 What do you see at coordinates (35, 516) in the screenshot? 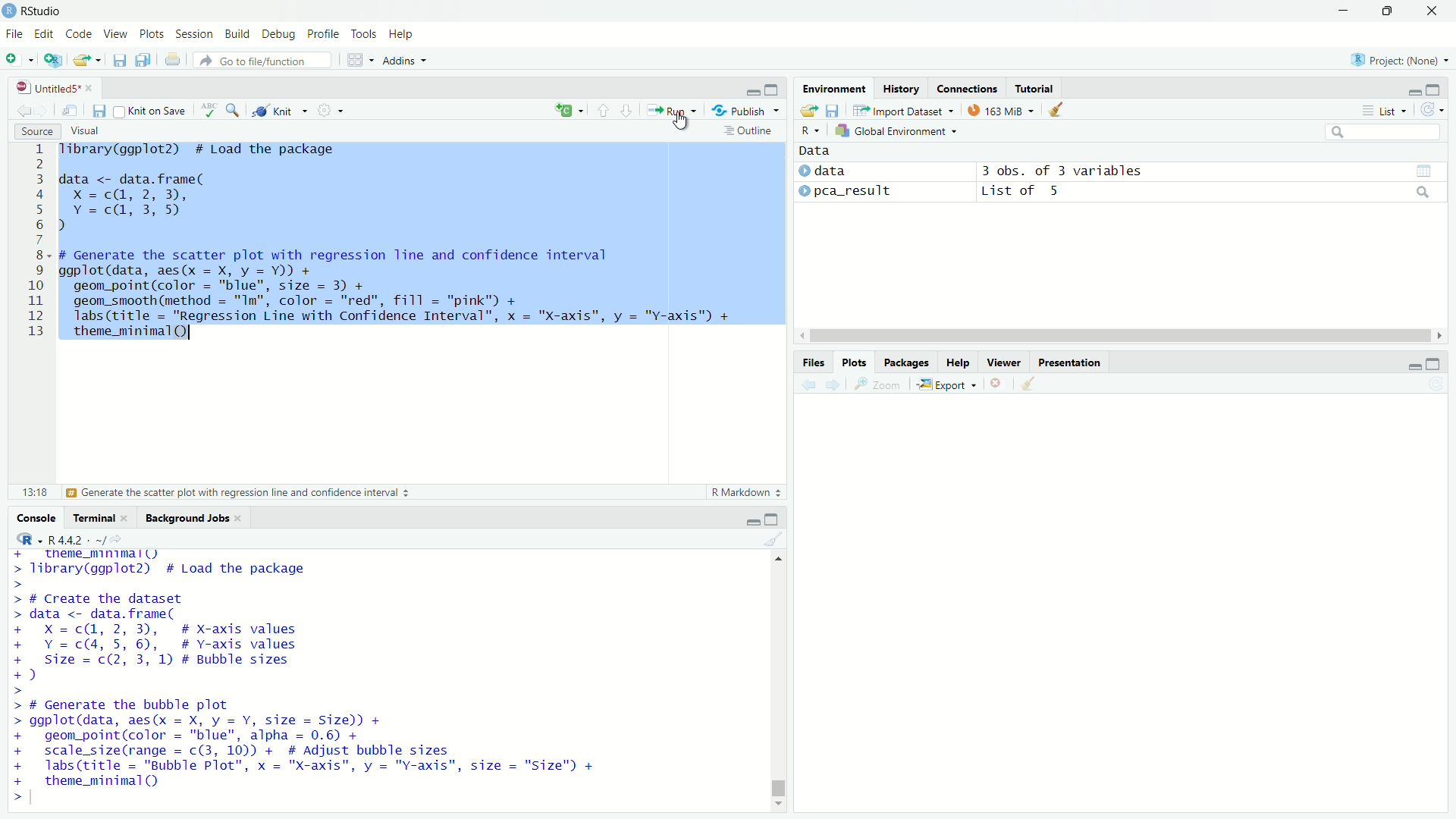
I see `Console` at bounding box center [35, 516].